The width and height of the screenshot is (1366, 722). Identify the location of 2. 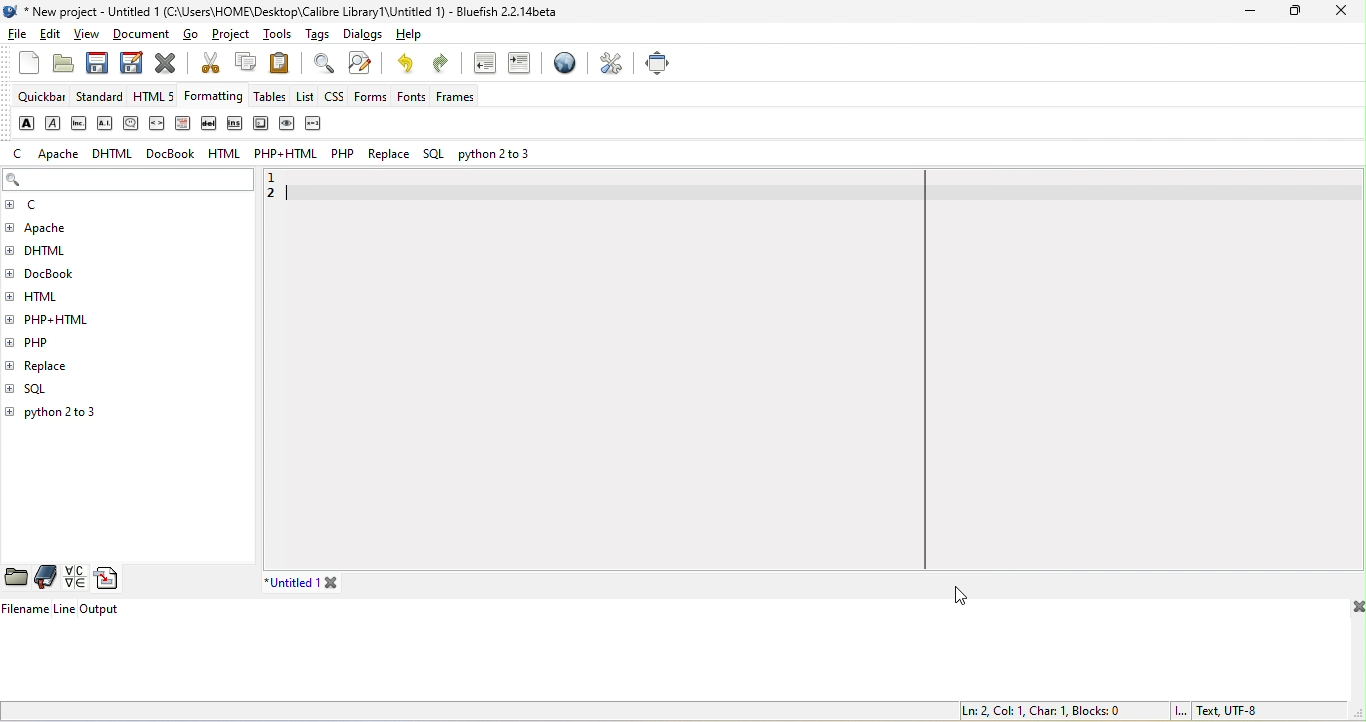
(277, 196).